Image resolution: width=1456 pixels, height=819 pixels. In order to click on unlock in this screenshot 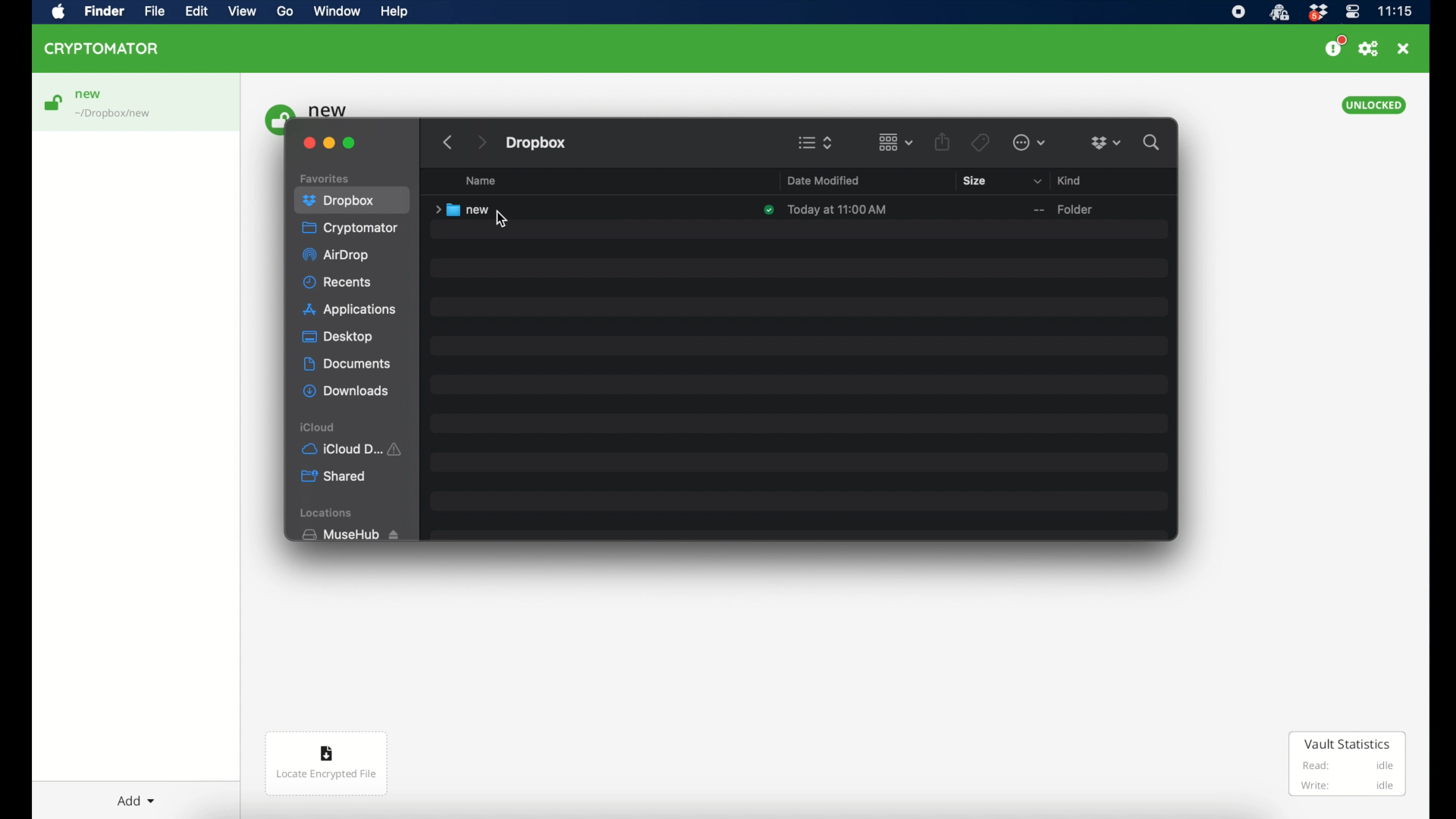, I will do `click(52, 102)`.